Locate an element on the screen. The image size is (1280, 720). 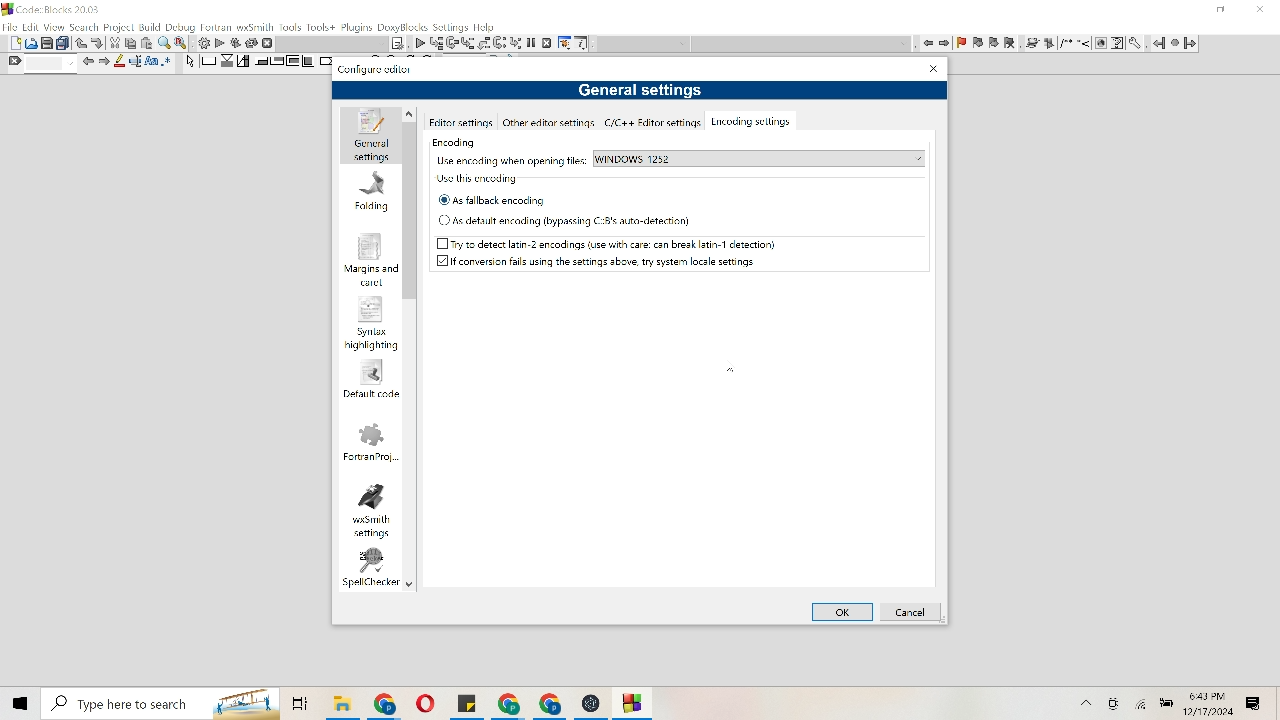
Encoding settings is located at coordinates (755, 120).